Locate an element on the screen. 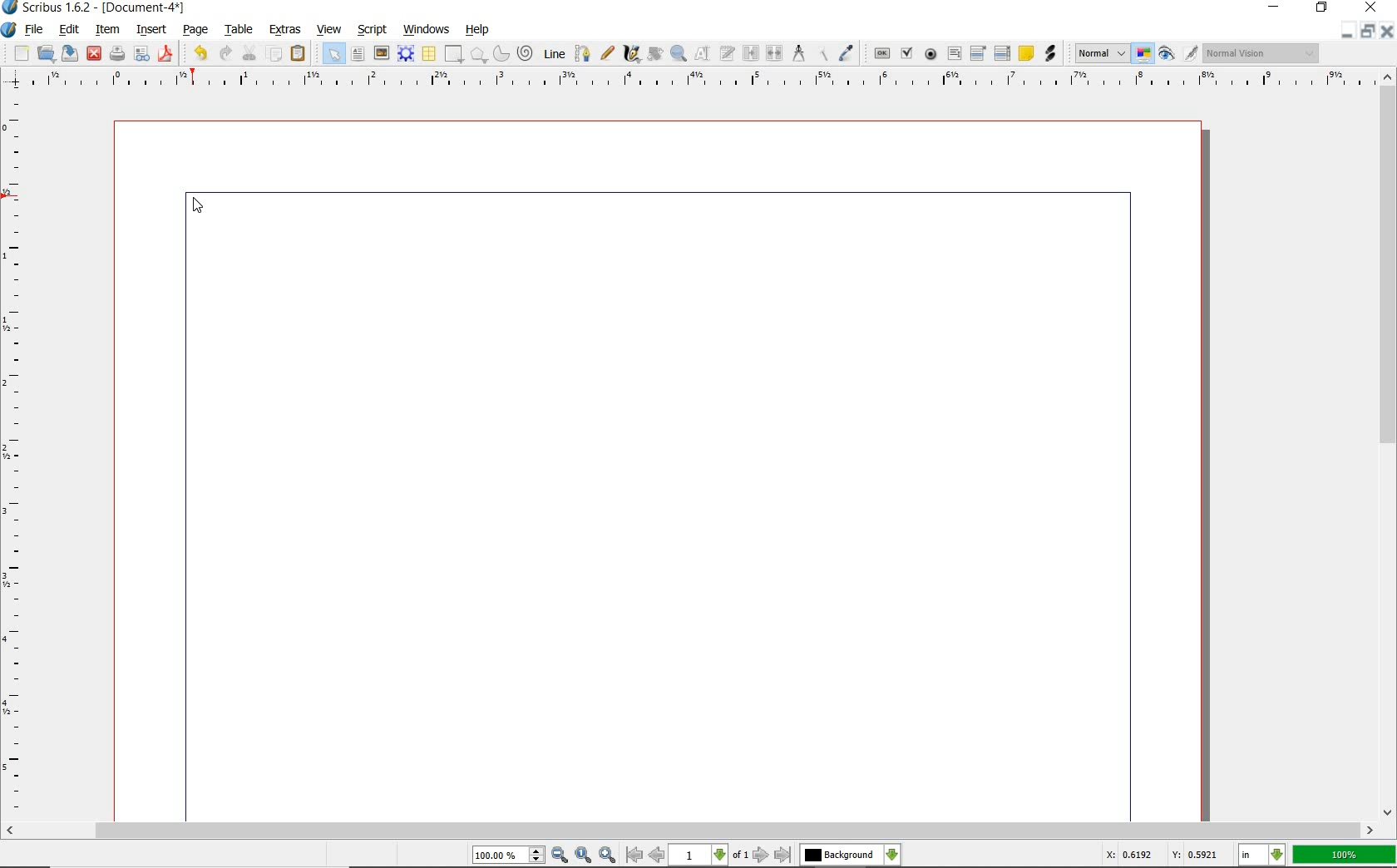  in is located at coordinates (1262, 855).